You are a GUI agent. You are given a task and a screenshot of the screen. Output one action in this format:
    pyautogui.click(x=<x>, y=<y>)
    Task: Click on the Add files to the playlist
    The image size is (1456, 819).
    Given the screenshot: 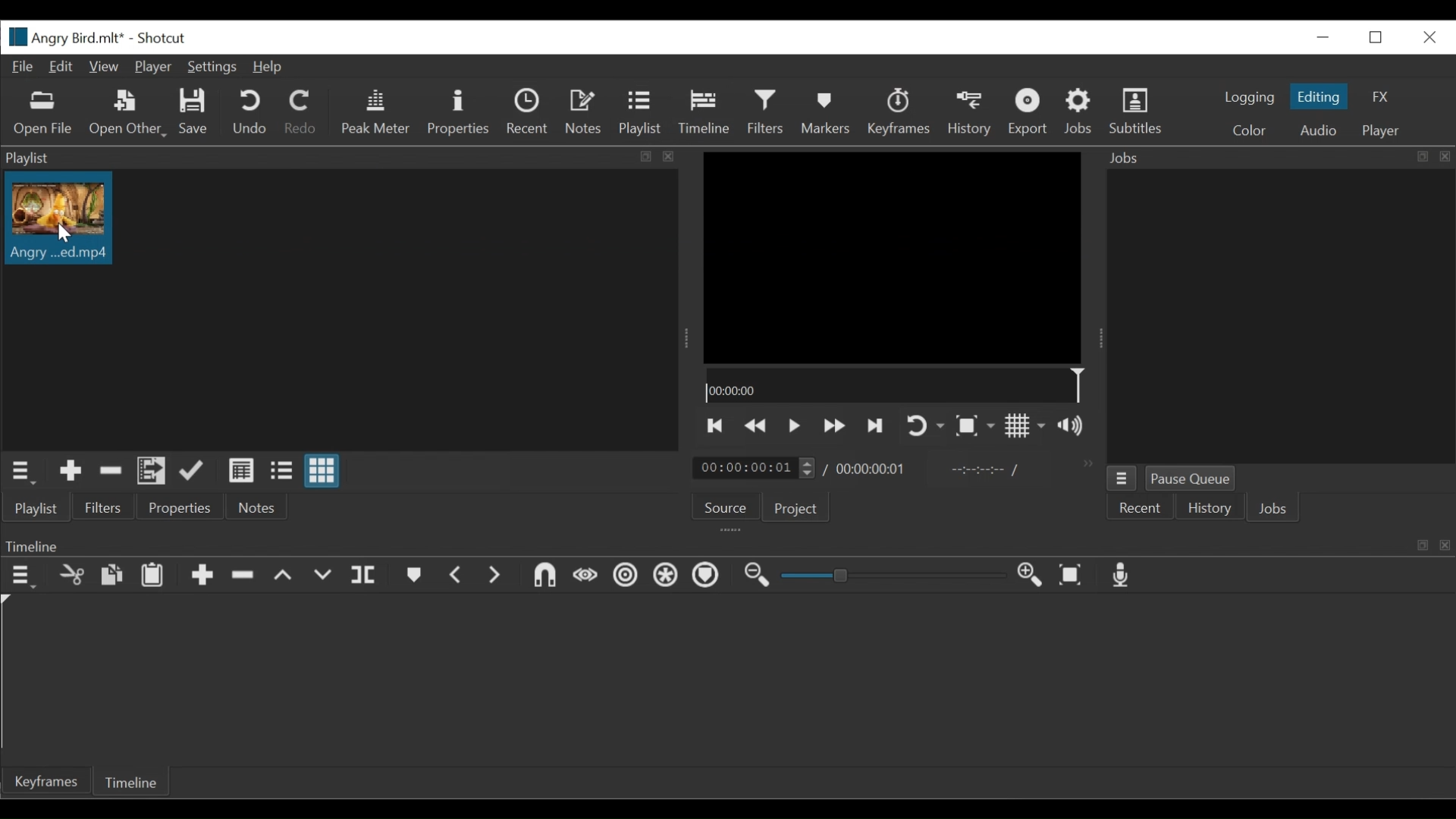 What is the action you would take?
    pyautogui.click(x=152, y=472)
    